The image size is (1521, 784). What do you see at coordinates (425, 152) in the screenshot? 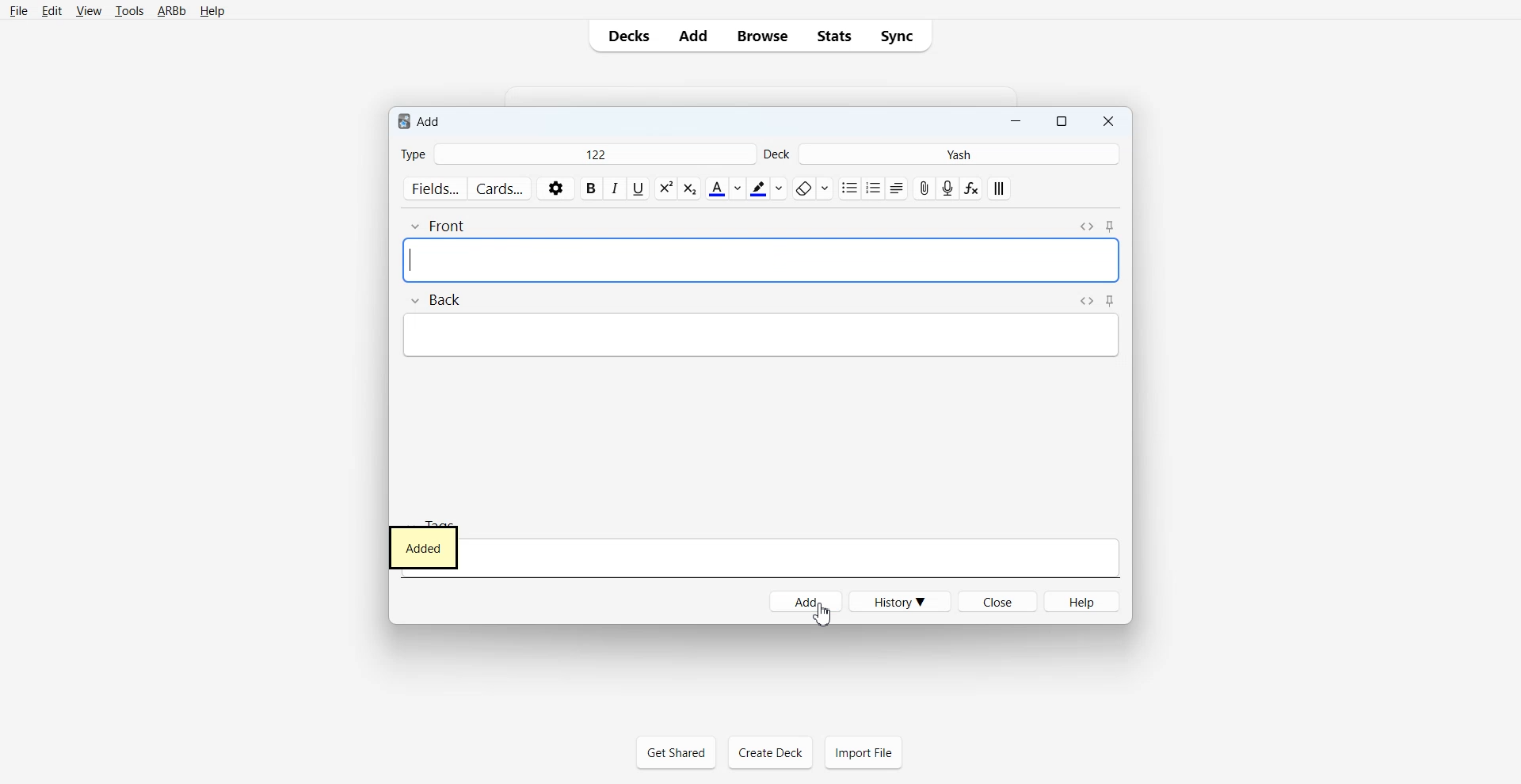
I see `type` at bounding box center [425, 152].